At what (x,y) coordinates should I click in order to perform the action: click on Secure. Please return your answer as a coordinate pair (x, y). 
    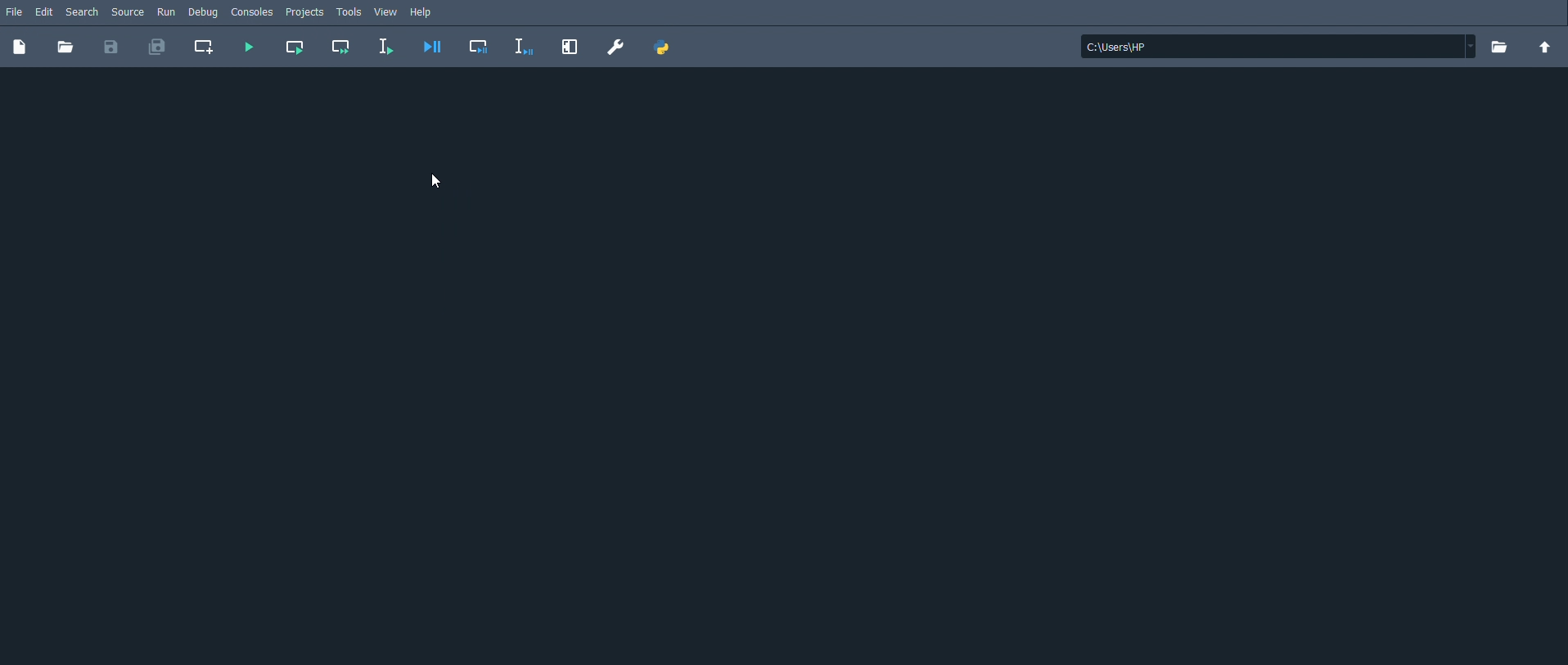
    Looking at the image, I should click on (129, 12).